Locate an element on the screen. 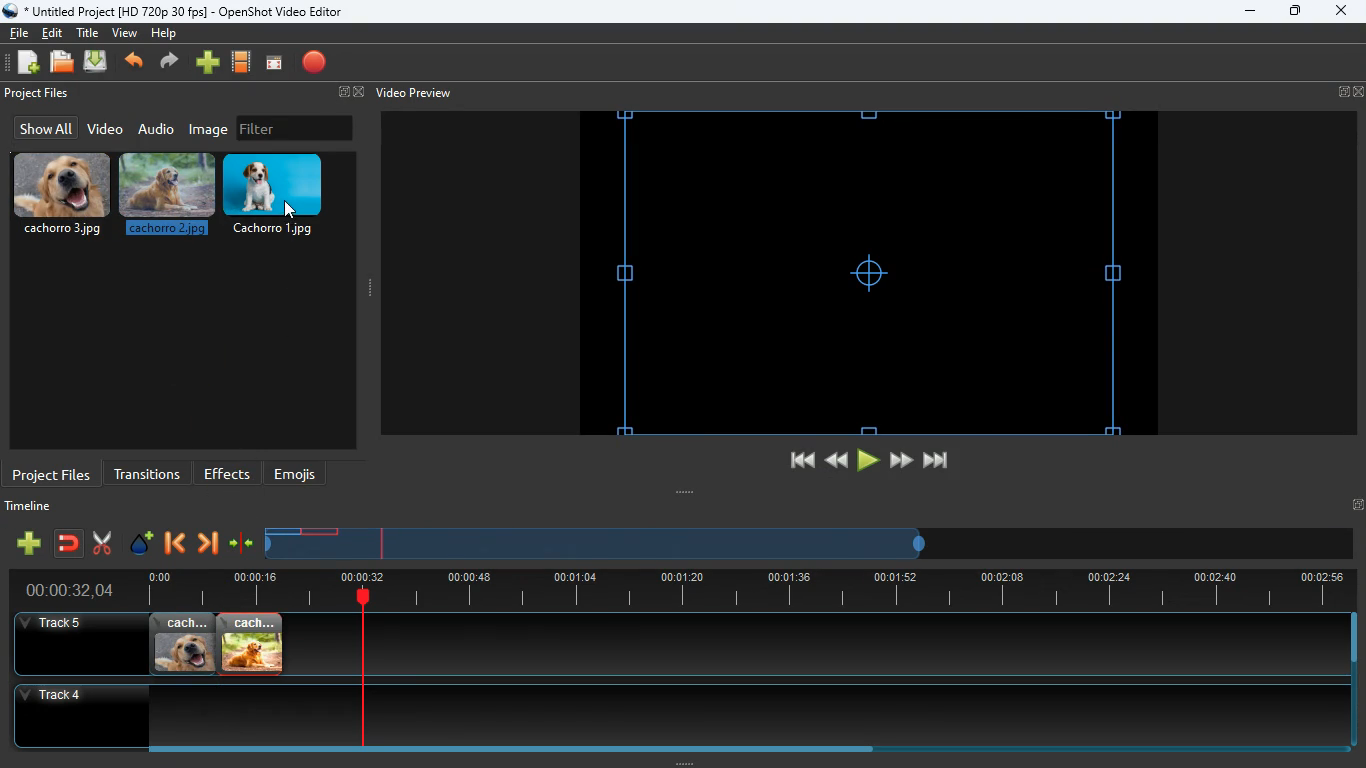  audio is located at coordinates (157, 128).